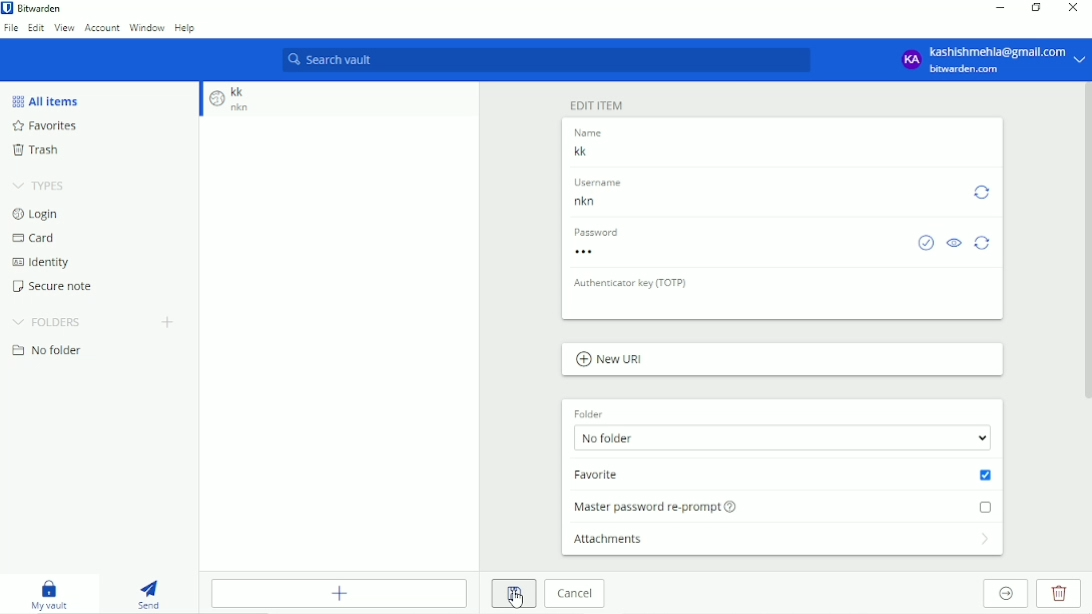  What do you see at coordinates (103, 27) in the screenshot?
I see `Account` at bounding box center [103, 27].